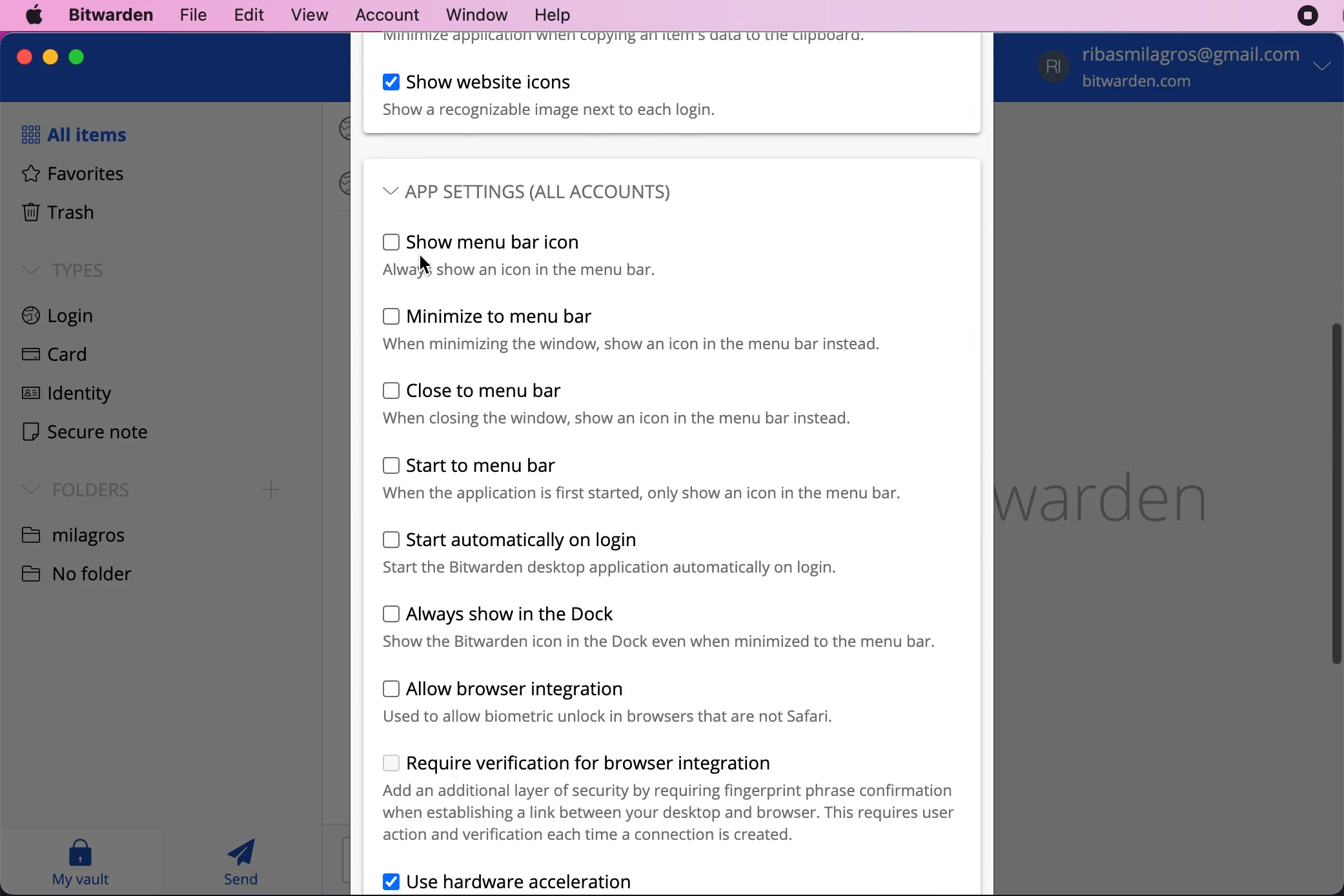 The height and width of the screenshot is (896, 1344). Describe the element at coordinates (646, 330) in the screenshot. I see `minimize to menu bar` at that location.